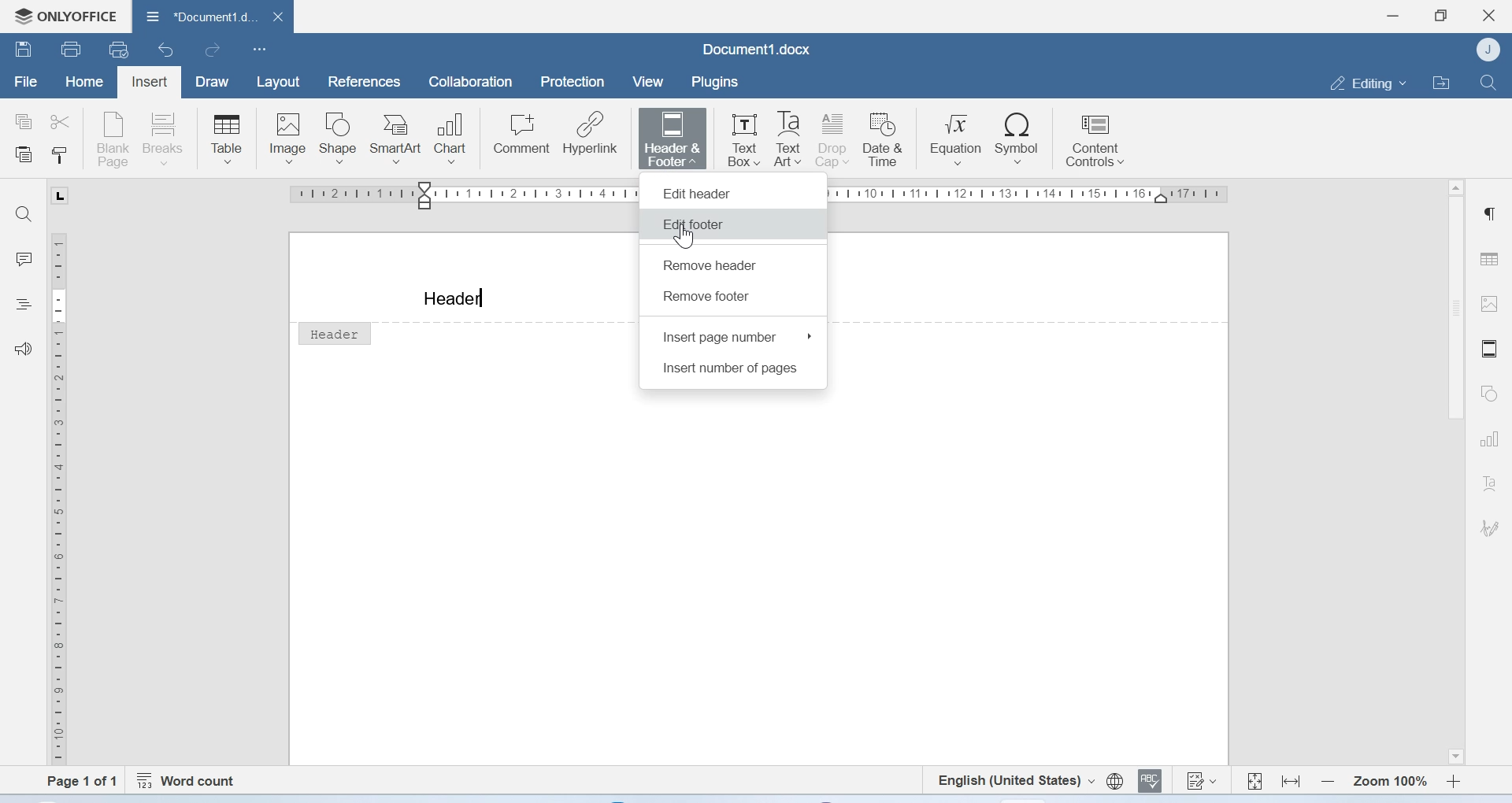 The height and width of the screenshot is (803, 1512). Describe the element at coordinates (737, 336) in the screenshot. I see `Insert page number` at that location.